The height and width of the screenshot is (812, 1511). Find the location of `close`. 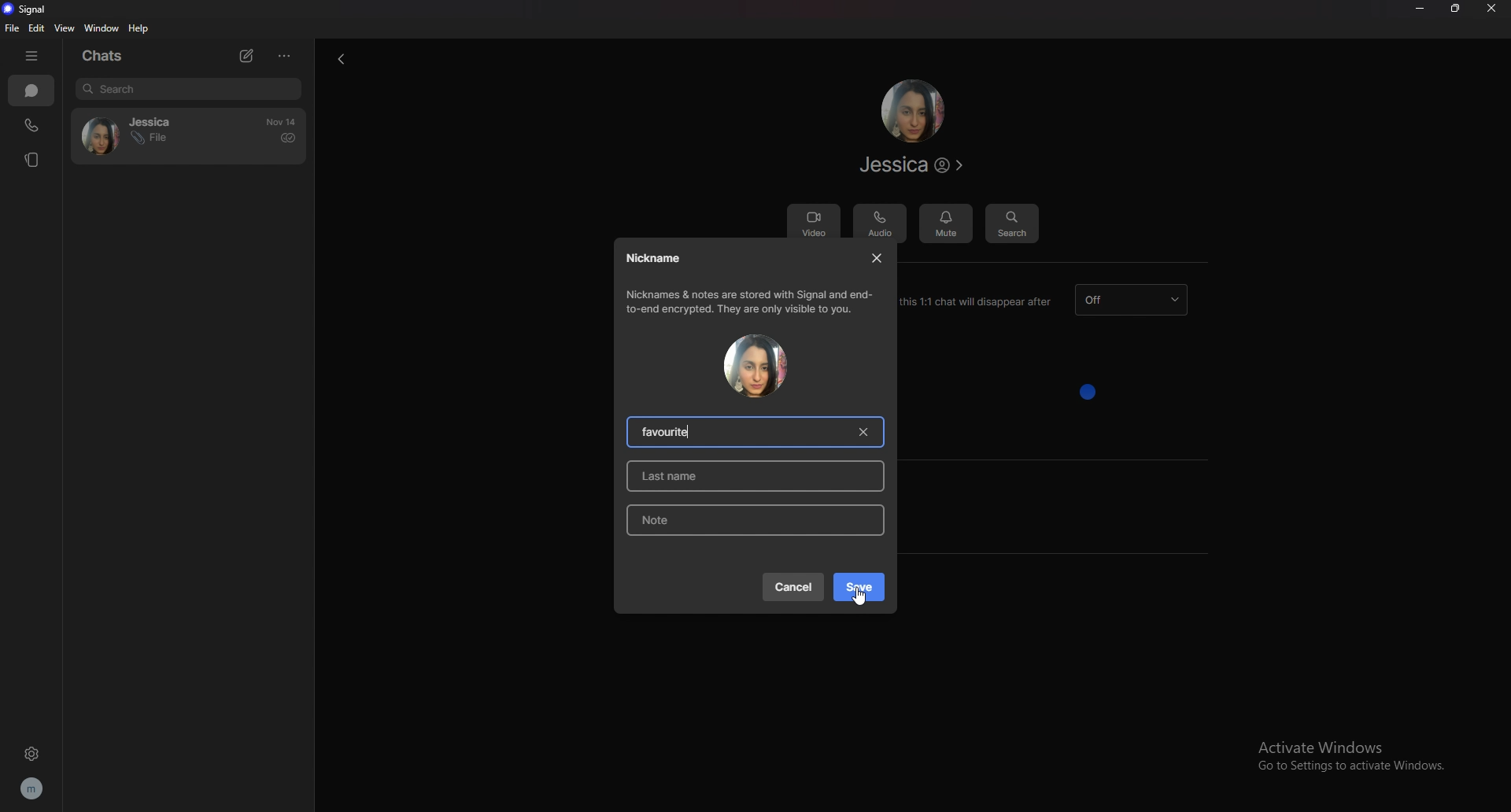

close is located at coordinates (880, 257).